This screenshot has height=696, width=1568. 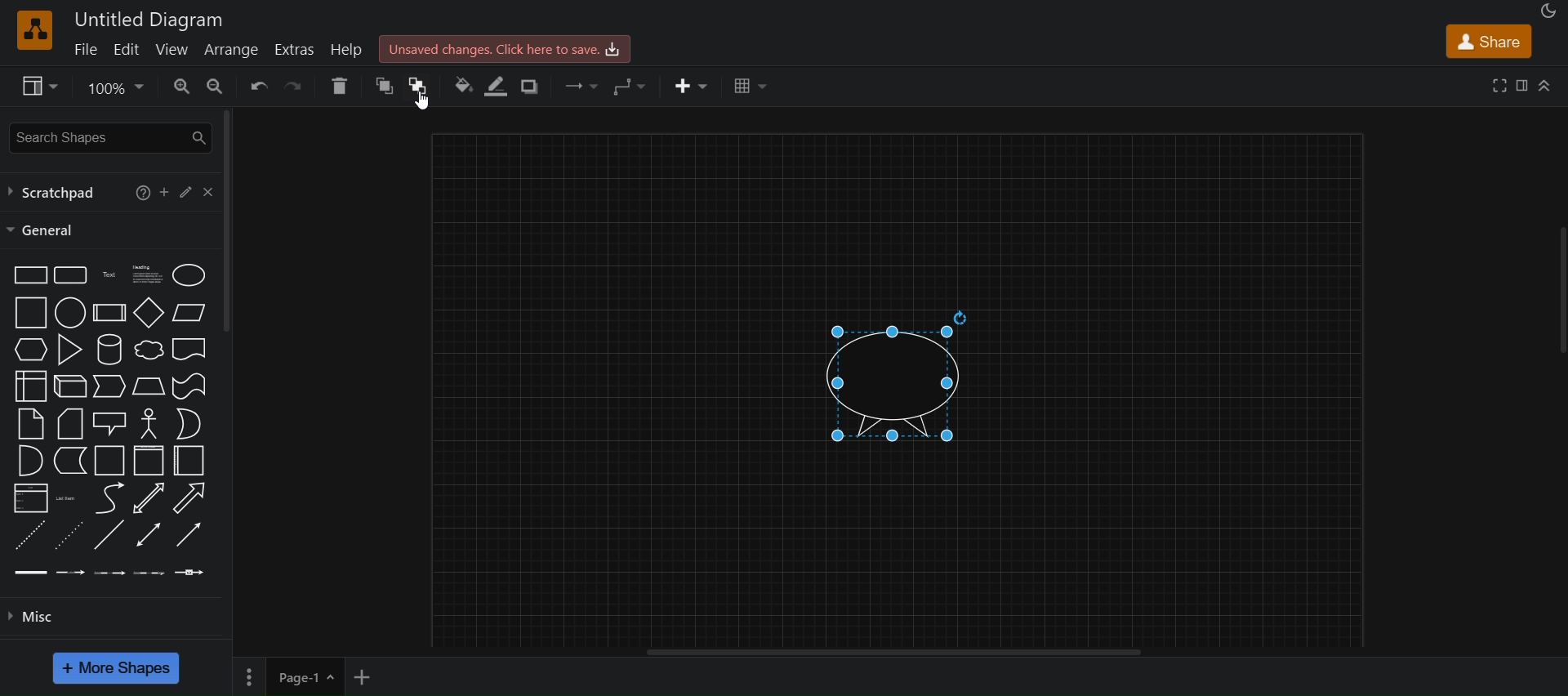 What do you see at coordinates (349, 51) in the screenshot?
I see `help` at bounding box center [349, 51].